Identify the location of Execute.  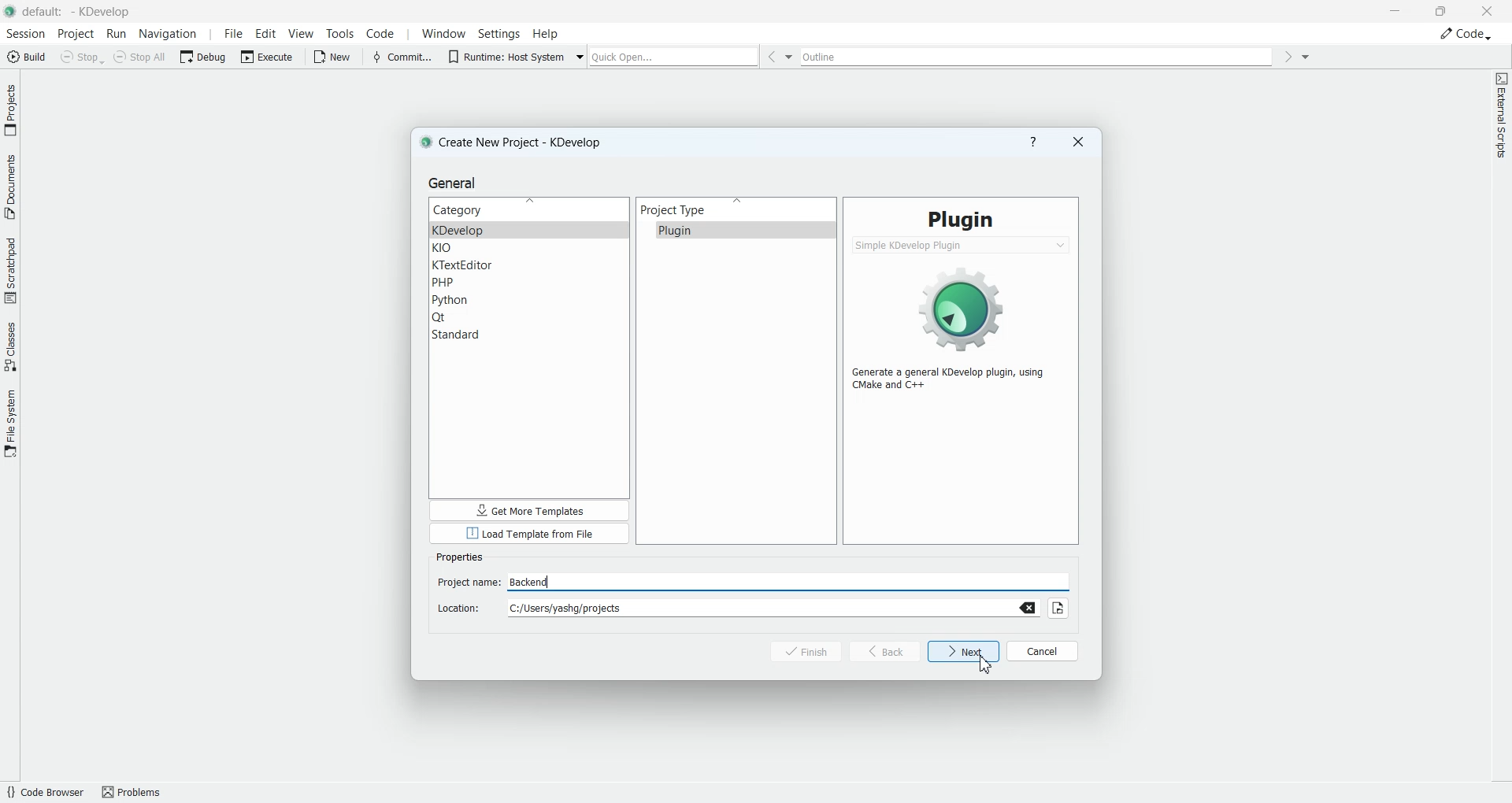
(269, 56).